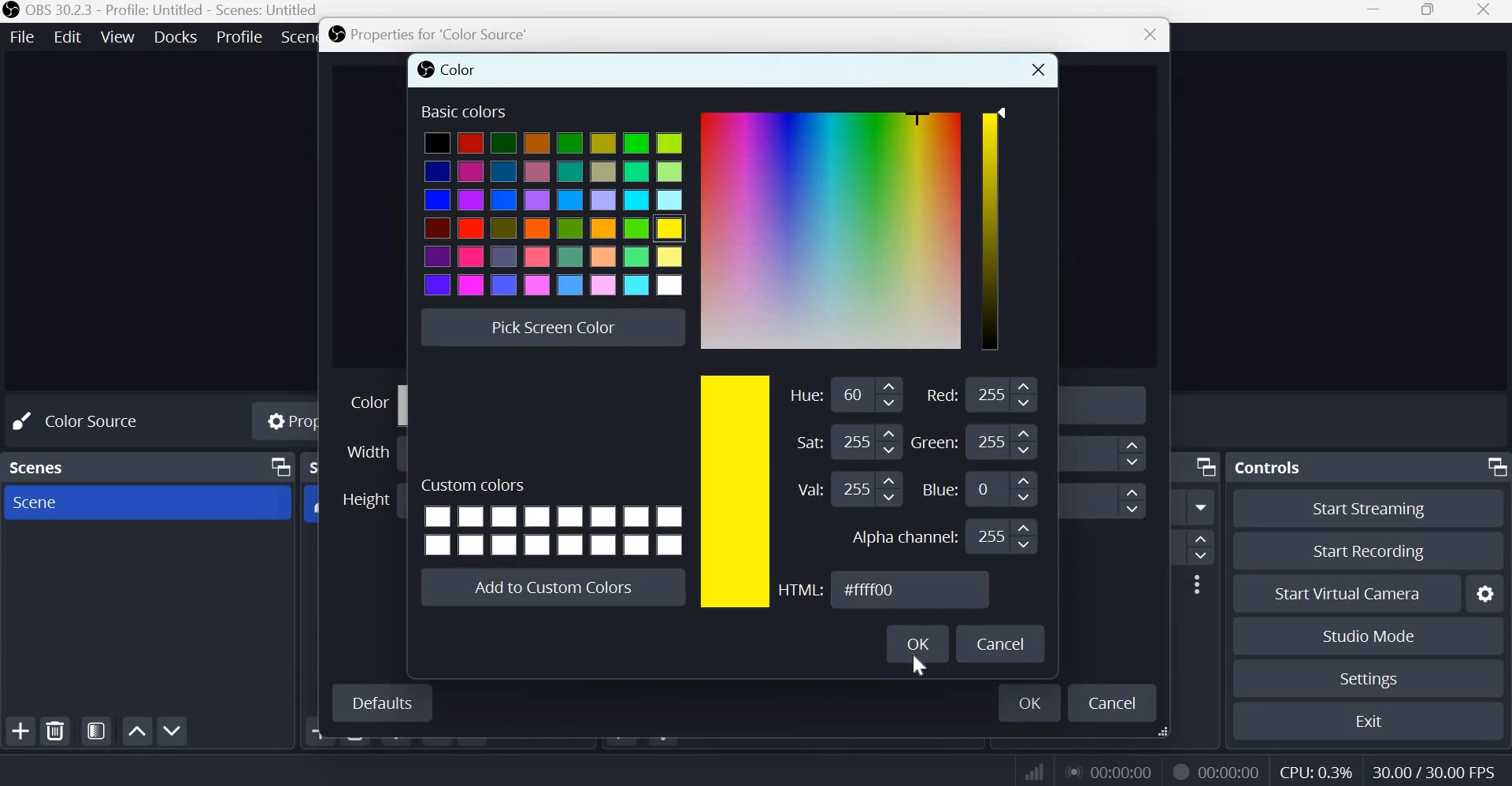  What do you see at coordinates (136, 731) in the screenshot?
I see `Move scene up` at bounding box center [136, 731].